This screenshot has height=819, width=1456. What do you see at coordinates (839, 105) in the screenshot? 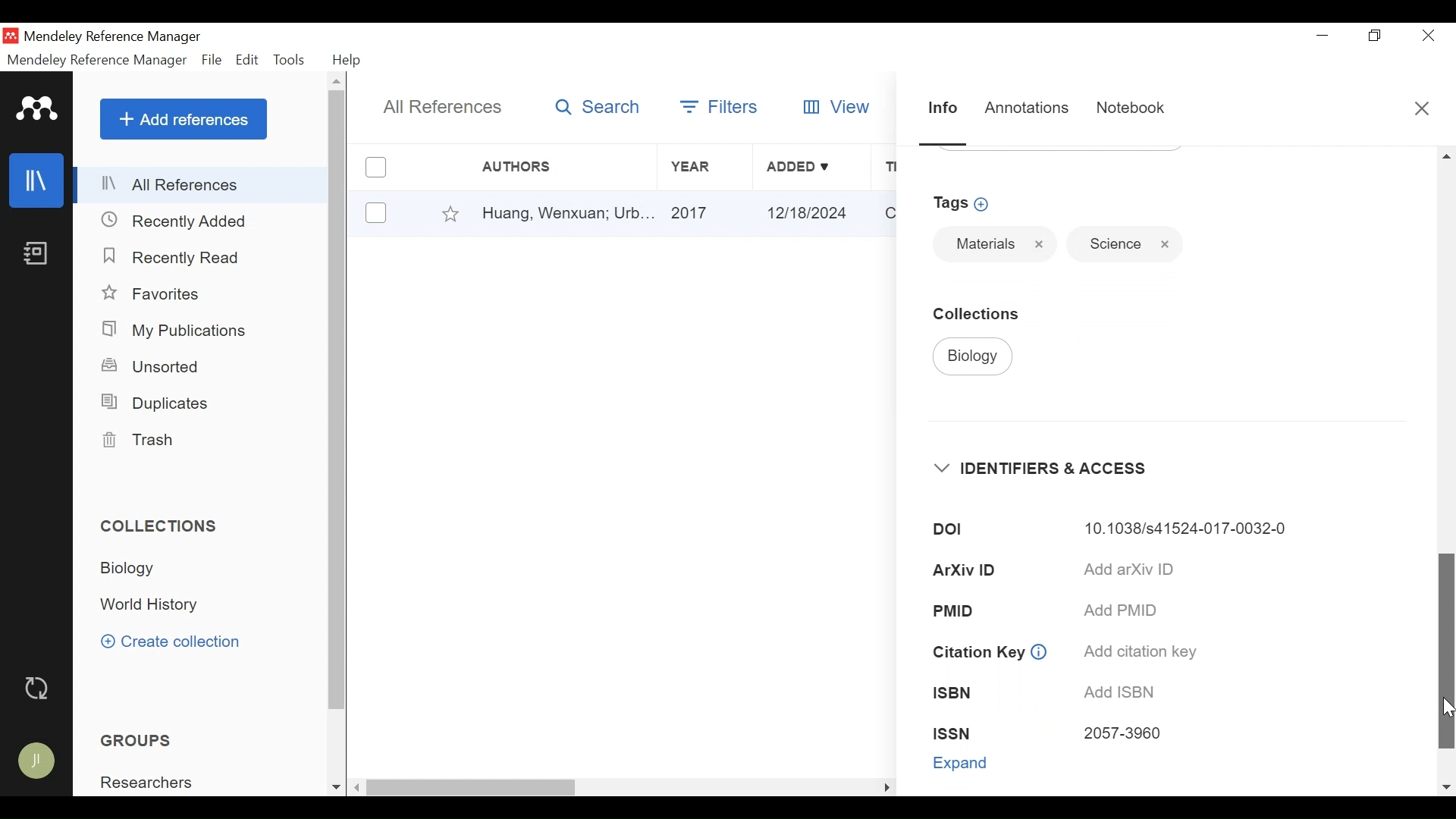
I see `View` at bounding box center [839, 105].